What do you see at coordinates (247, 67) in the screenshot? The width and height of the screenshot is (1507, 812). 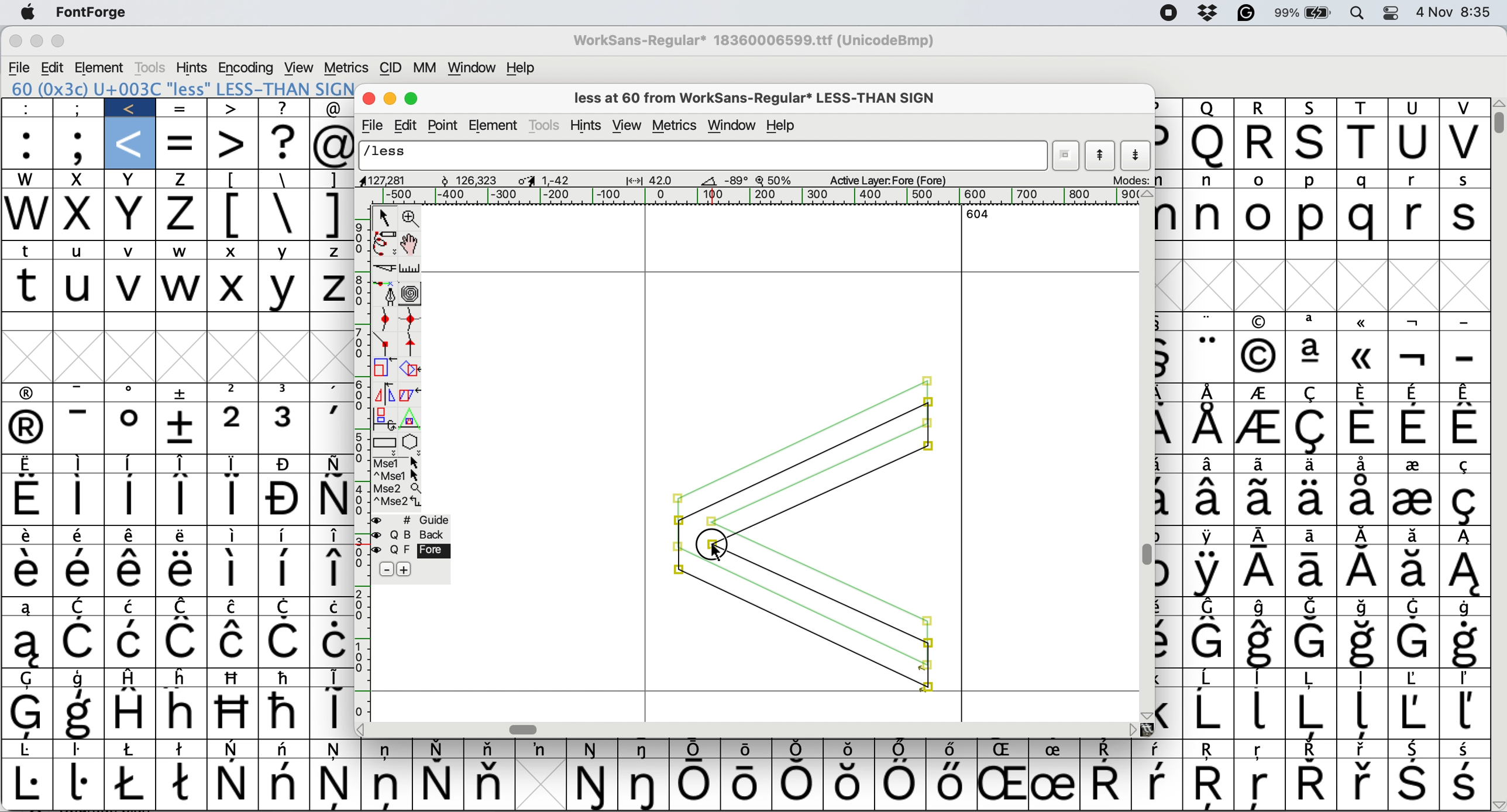 I see `encoding` at bounding box center [247, 67].